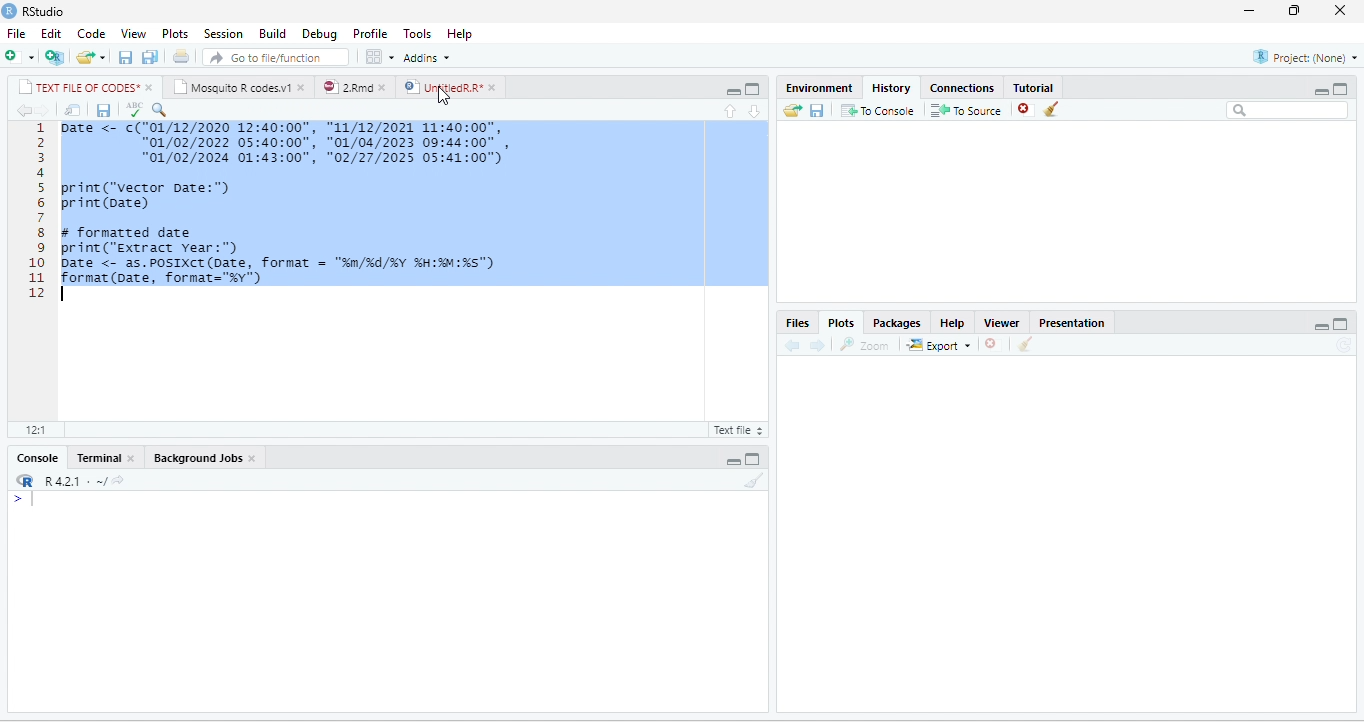  What do you see at coordinates (753, 89) in the screenshot?
I see `maximize` at bounding box center [753, 89].